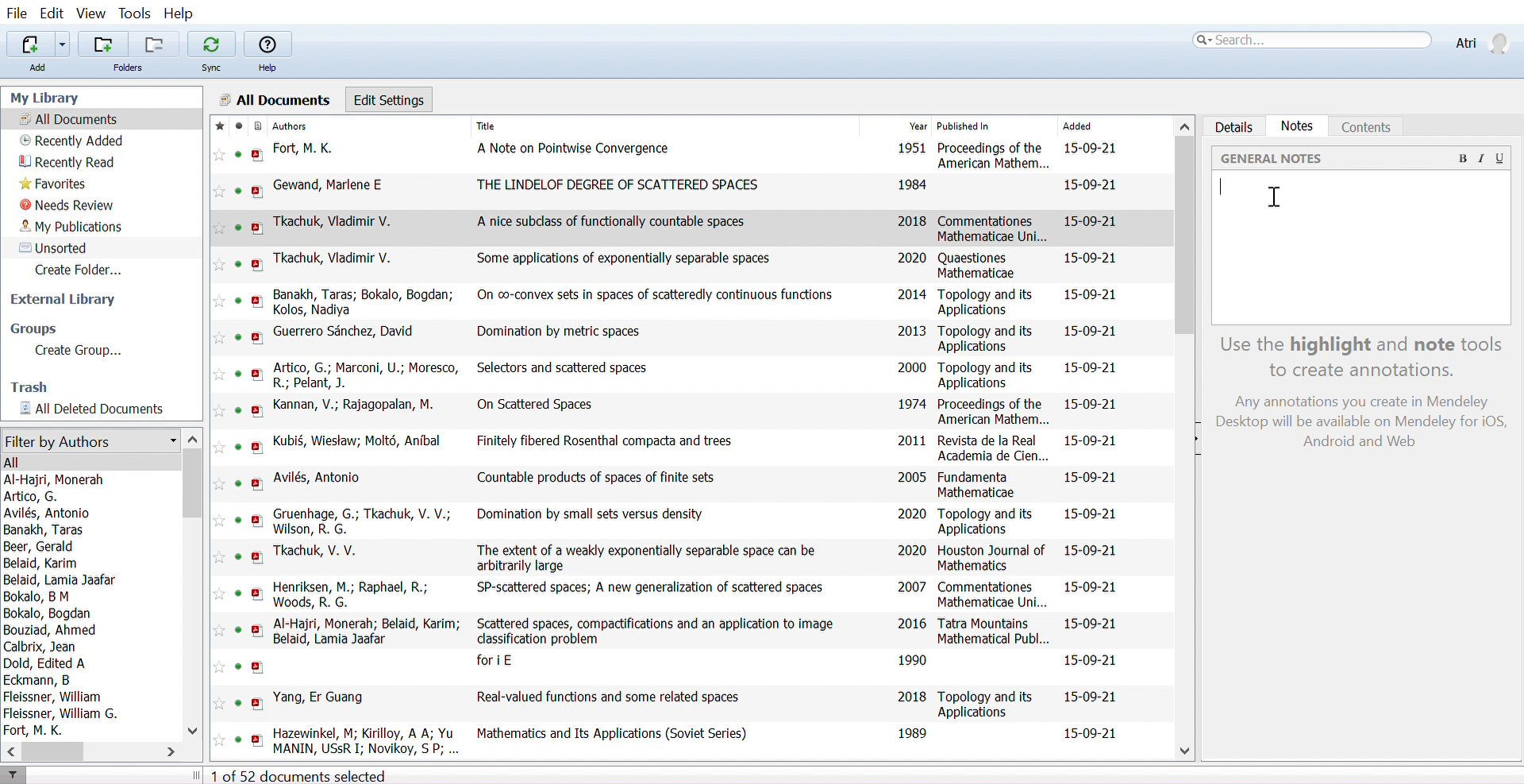  Describe the element at coordinates (1233, 125) in the screenshot. I see `Details` at that location.